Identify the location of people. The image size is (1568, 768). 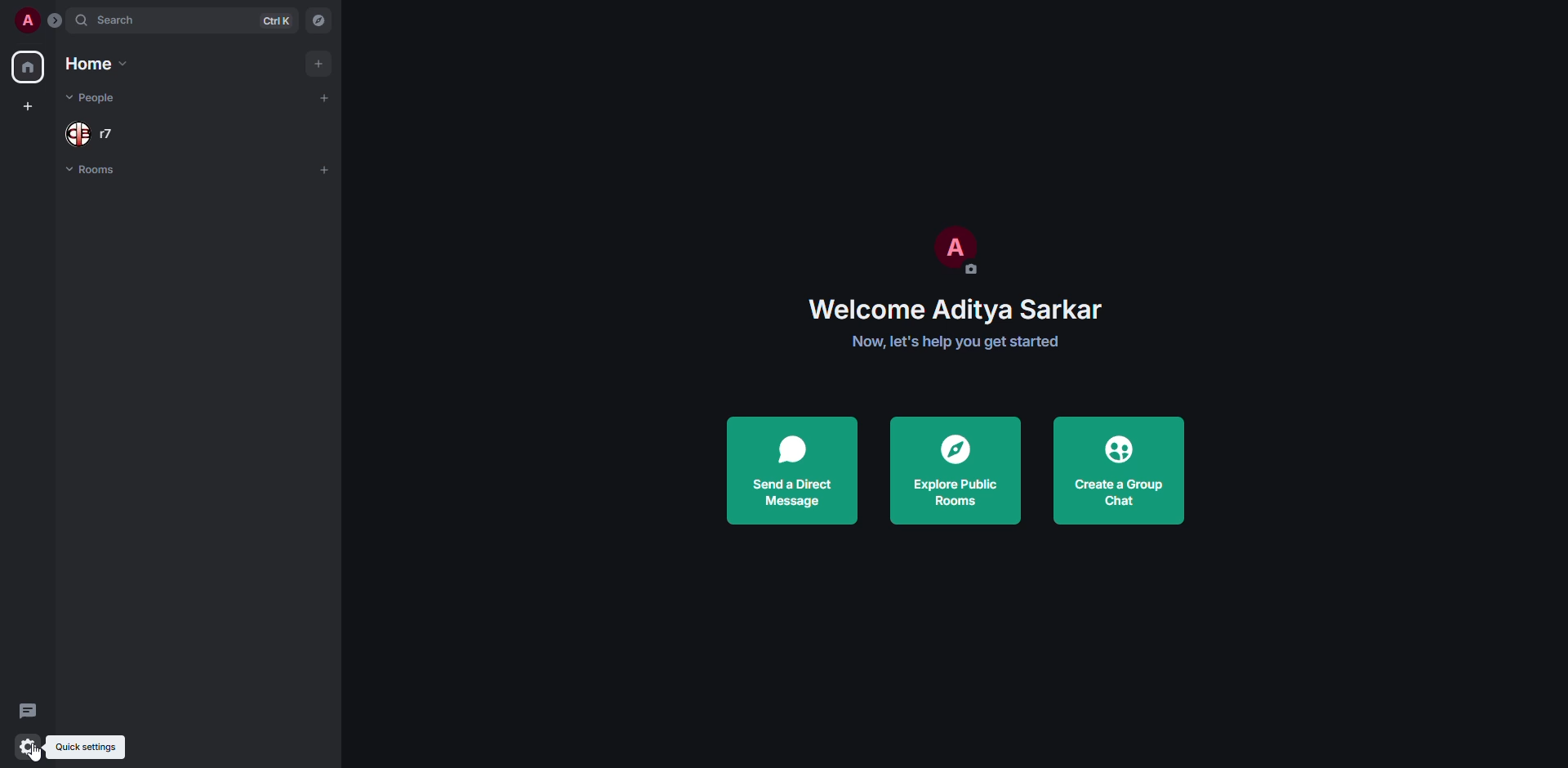
(88, 133).